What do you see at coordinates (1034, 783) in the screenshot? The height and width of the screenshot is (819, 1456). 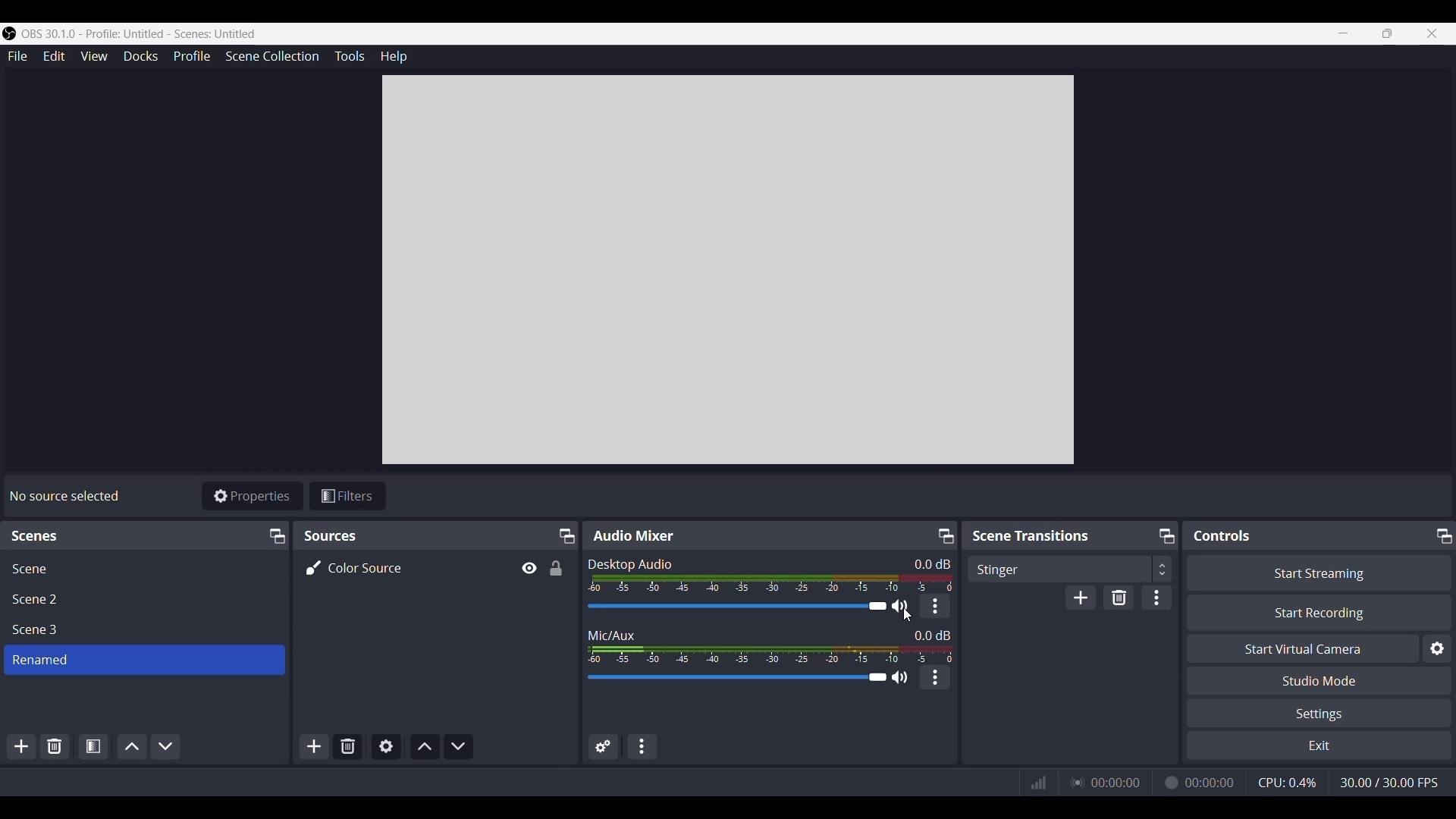 I see `Network` at bounding box center [1034, 783].